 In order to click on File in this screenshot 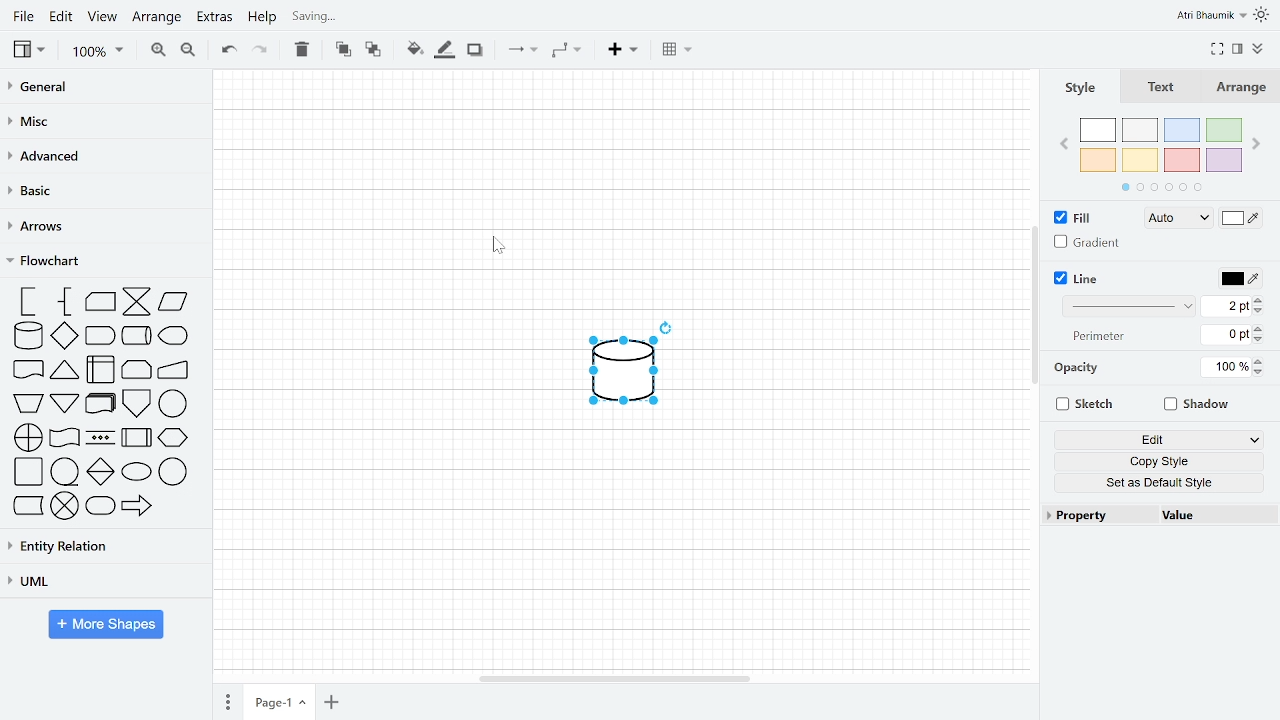, I will do `click(19, 16)`.